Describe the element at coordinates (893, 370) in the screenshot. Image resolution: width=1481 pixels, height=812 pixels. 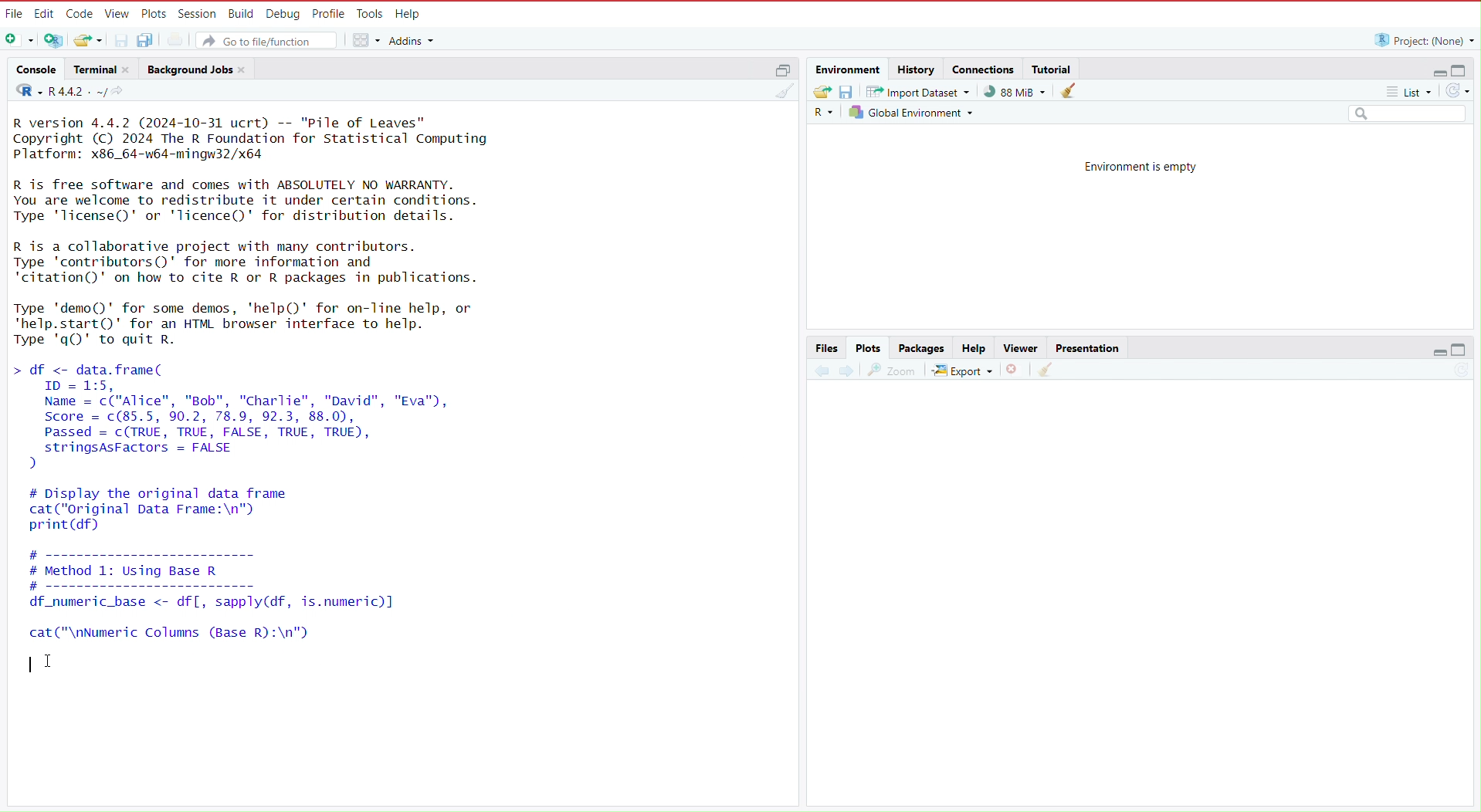
I see `view a larger version of the plot in a new window.` at that location.